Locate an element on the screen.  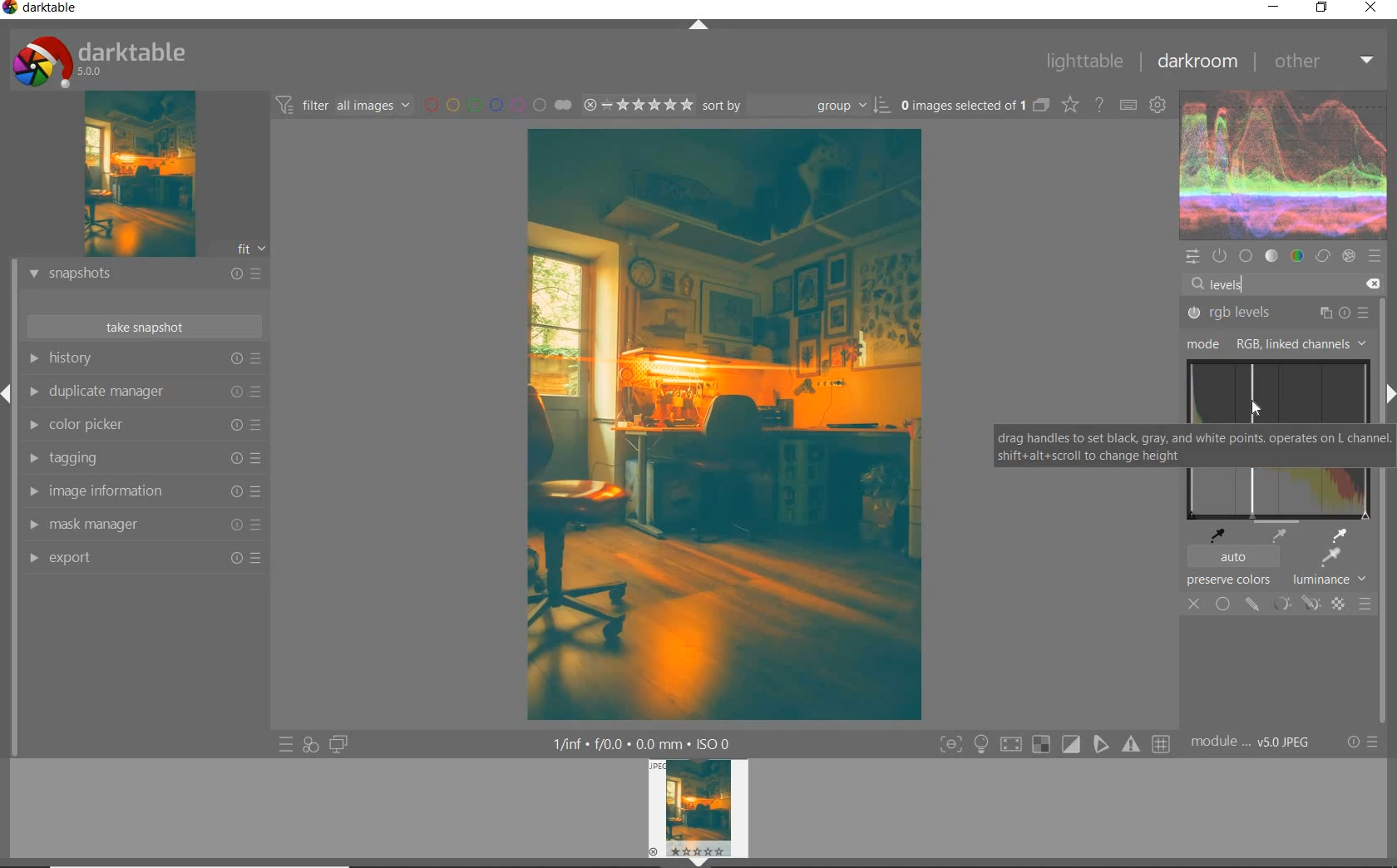
display a second darkroom image below is located at coordinates (338, 745).